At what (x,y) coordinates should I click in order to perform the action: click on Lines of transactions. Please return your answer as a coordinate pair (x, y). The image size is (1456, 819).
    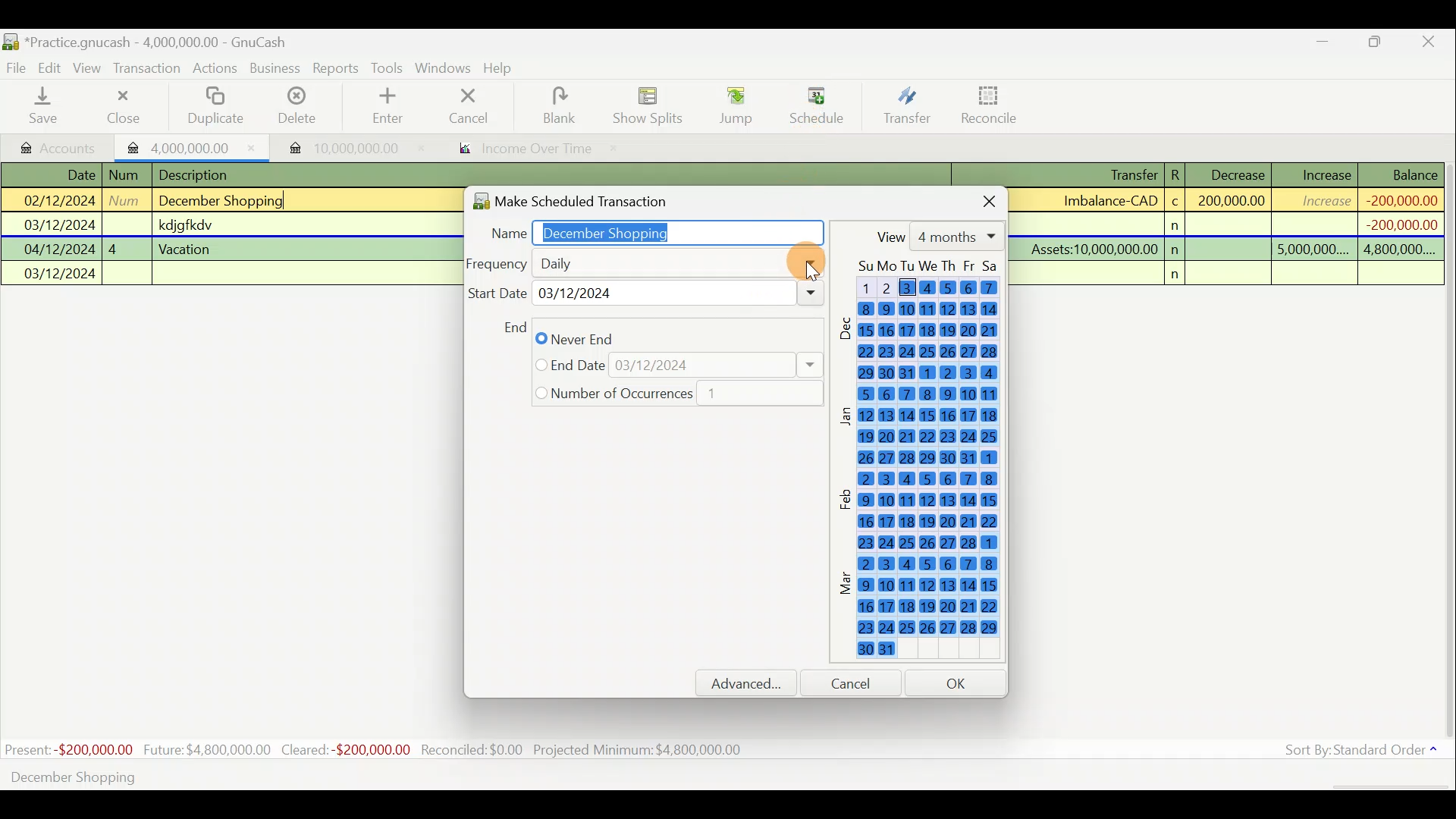
    Looking at the image, I should click on (187, 227).